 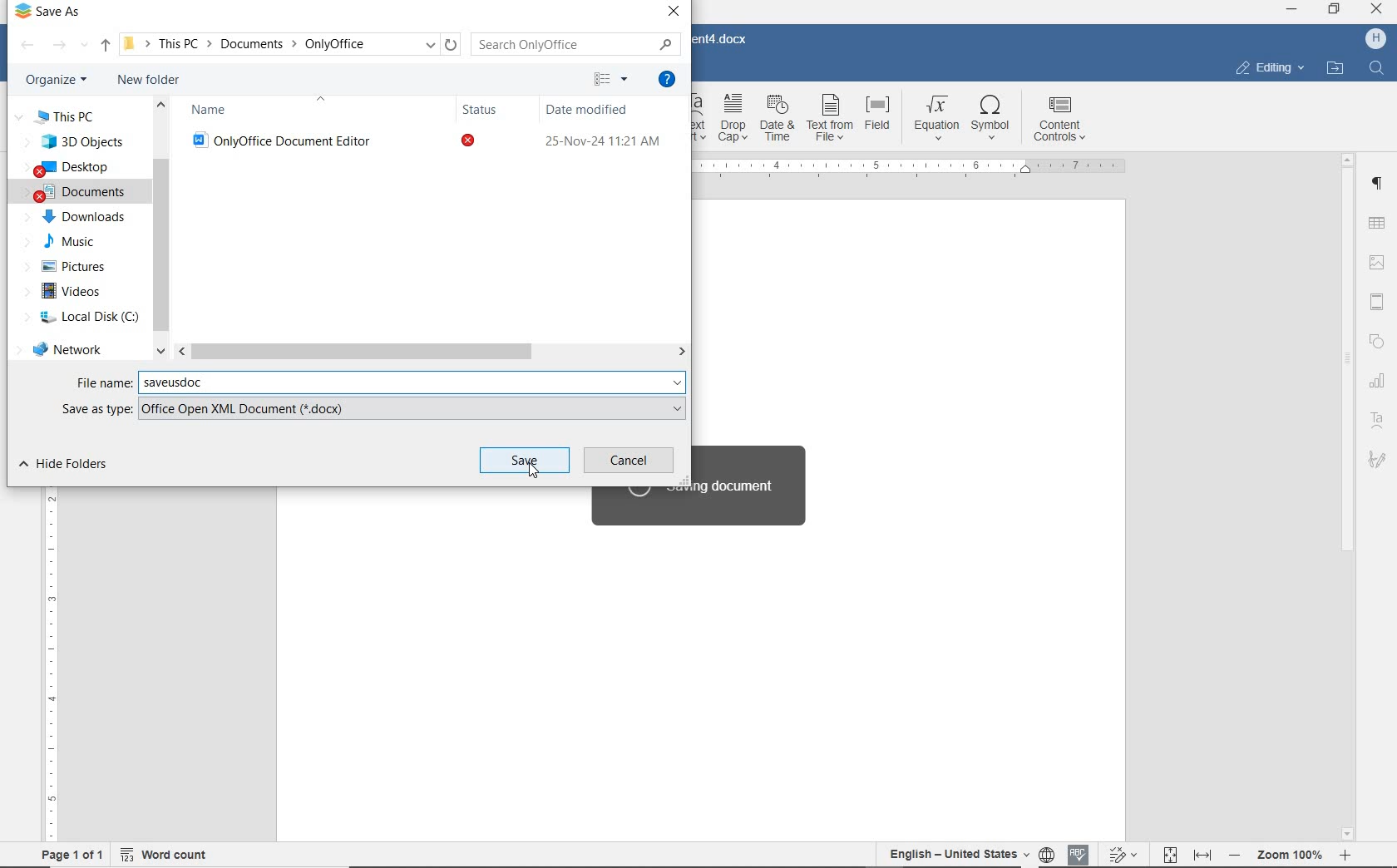 I want to click on ruler, so click(x=49, y=662).